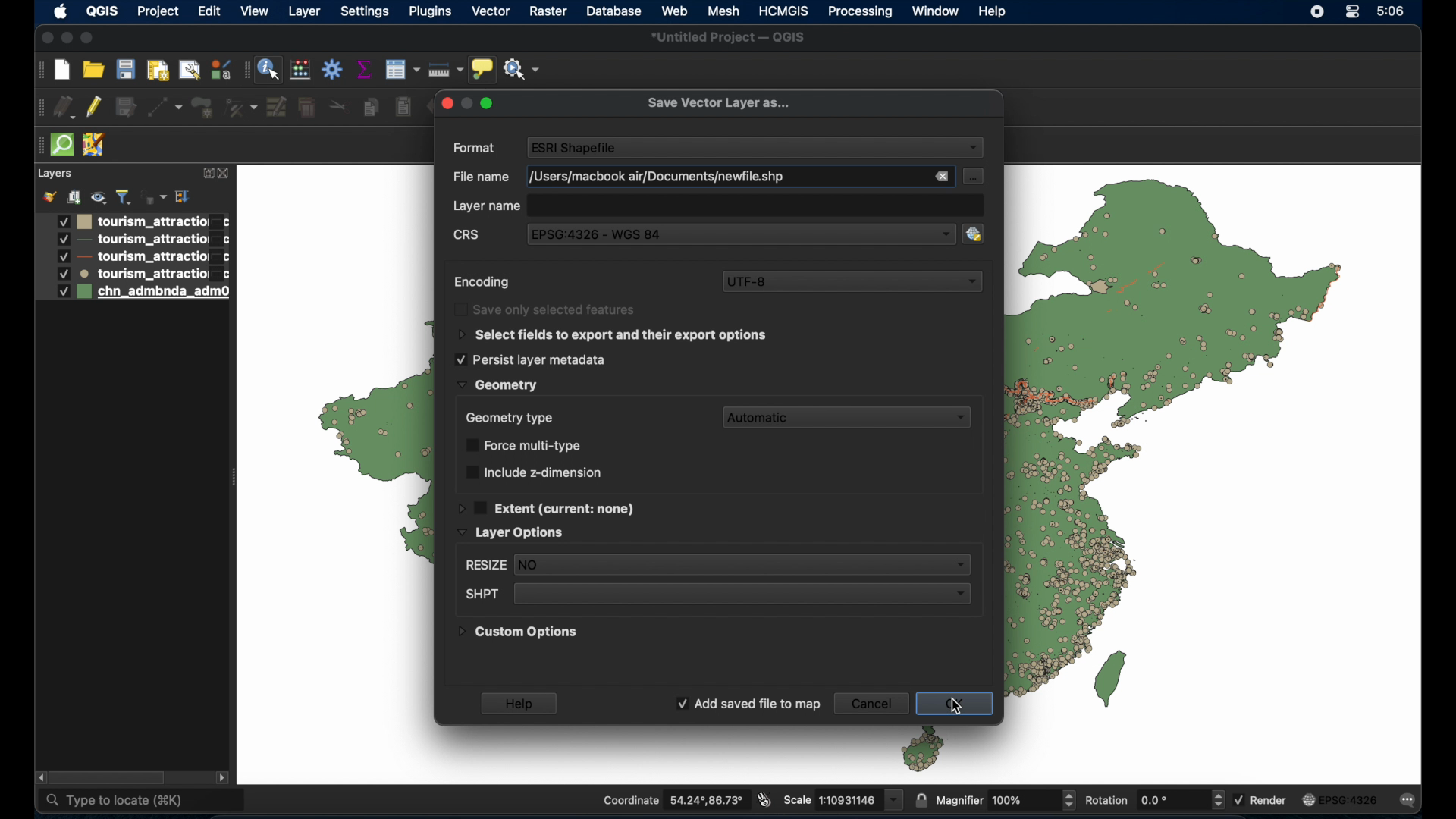 Image resolution: width=1456 pixels, height=819 pixels. I want to click on apple icon, so click(61, 12).